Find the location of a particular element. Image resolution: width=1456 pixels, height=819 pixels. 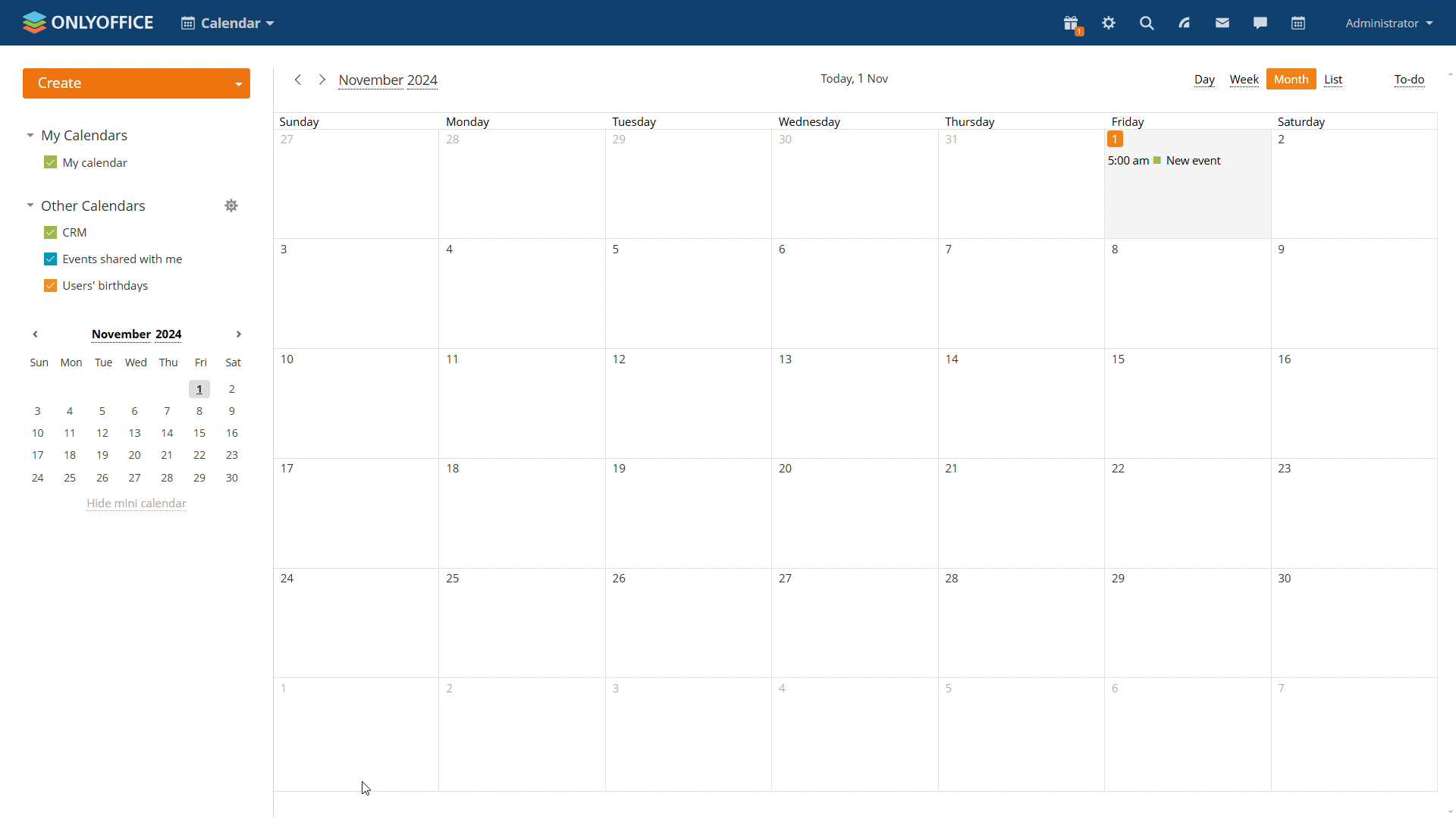

calendar is located at coordinates (1298, 24).